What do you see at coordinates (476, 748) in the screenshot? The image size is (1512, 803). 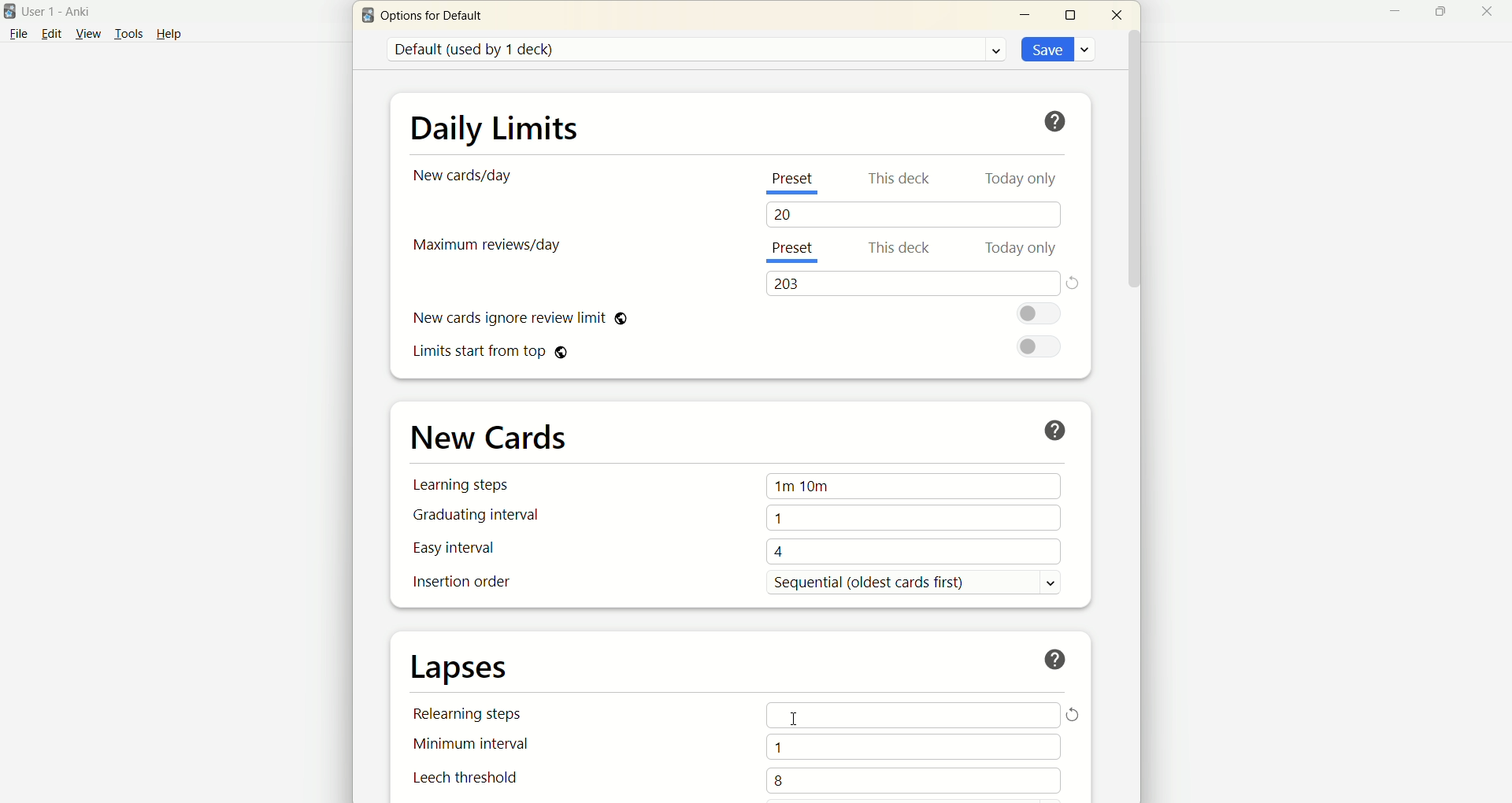 I see `minimum interval` at bounding box center [476, 748].